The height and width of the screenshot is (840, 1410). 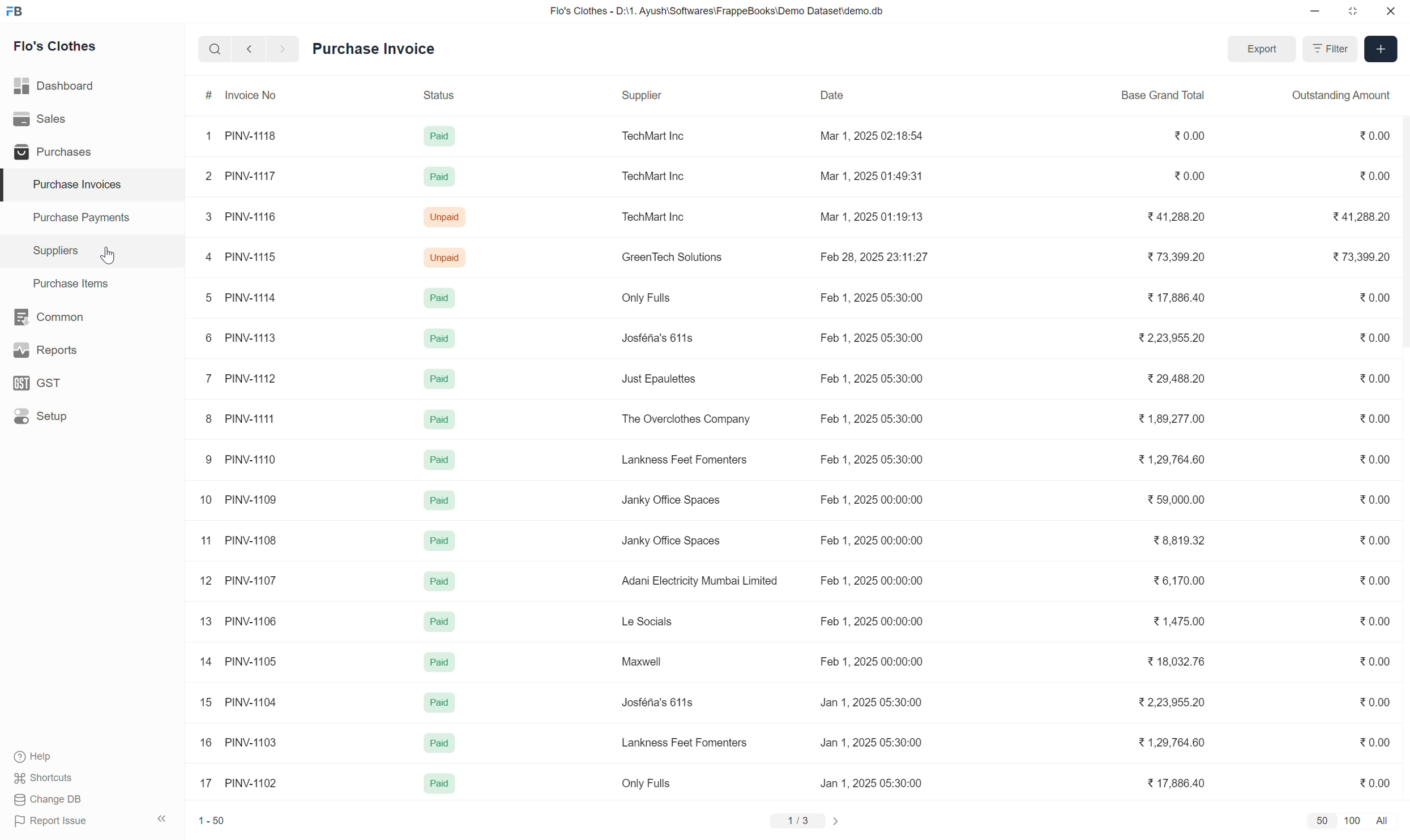 I want to click on 29,488.20, so click(x=1174, y=376).